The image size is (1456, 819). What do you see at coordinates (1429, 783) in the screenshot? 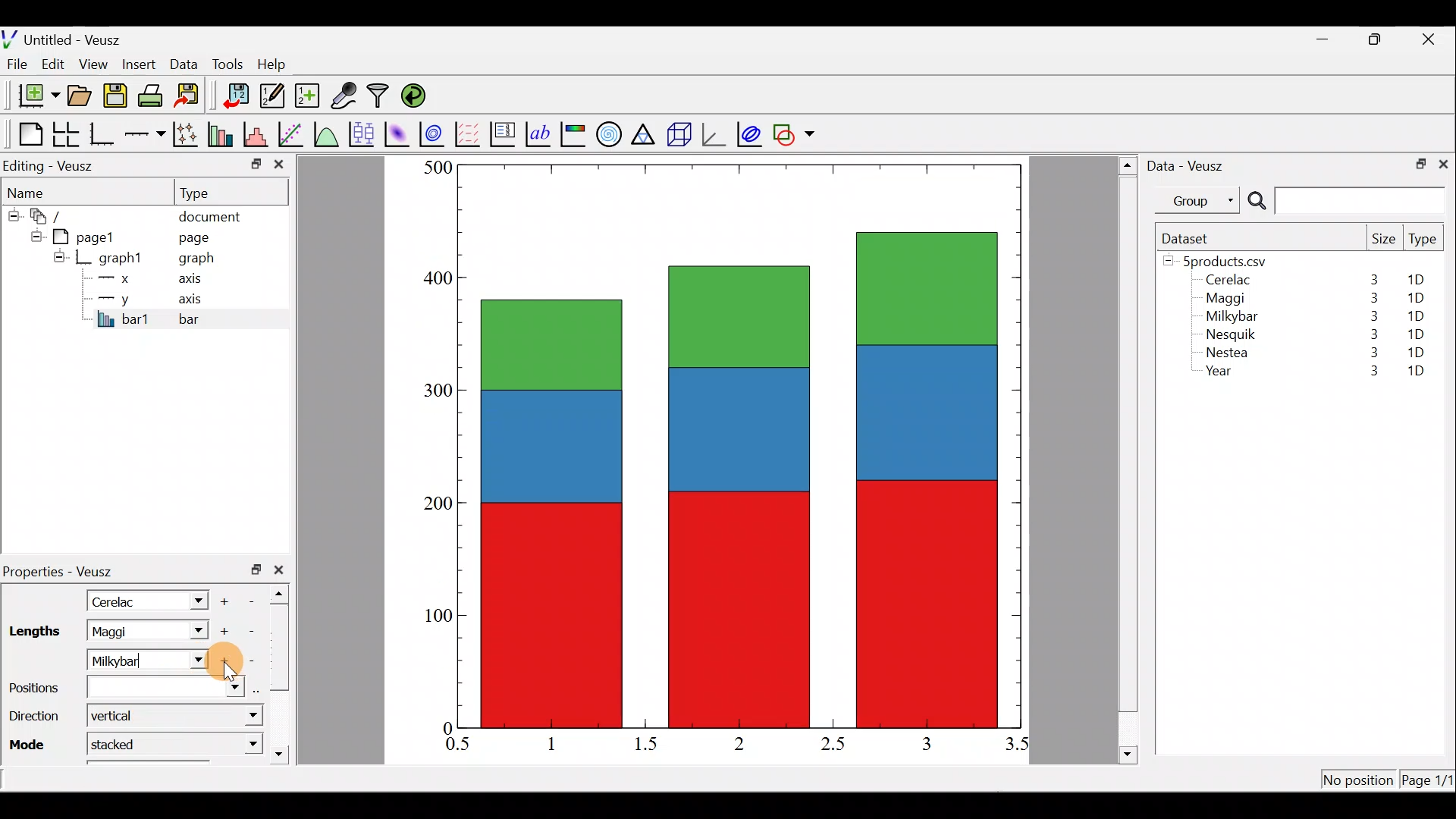
I see `Page 1/11` at bounding box center [1429, 783].